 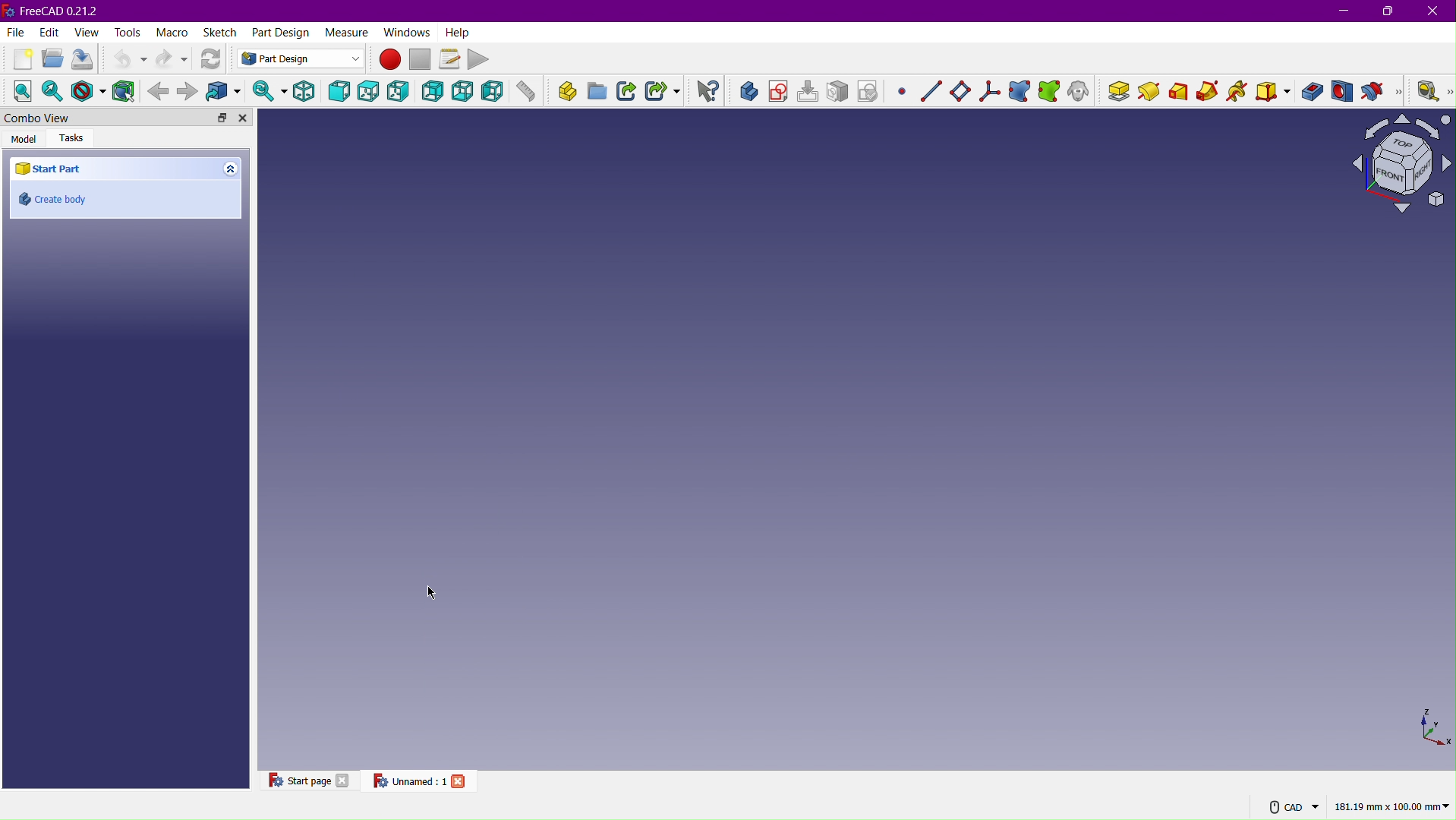 I want to click on XYZ view, so click(x=1429, y=727).